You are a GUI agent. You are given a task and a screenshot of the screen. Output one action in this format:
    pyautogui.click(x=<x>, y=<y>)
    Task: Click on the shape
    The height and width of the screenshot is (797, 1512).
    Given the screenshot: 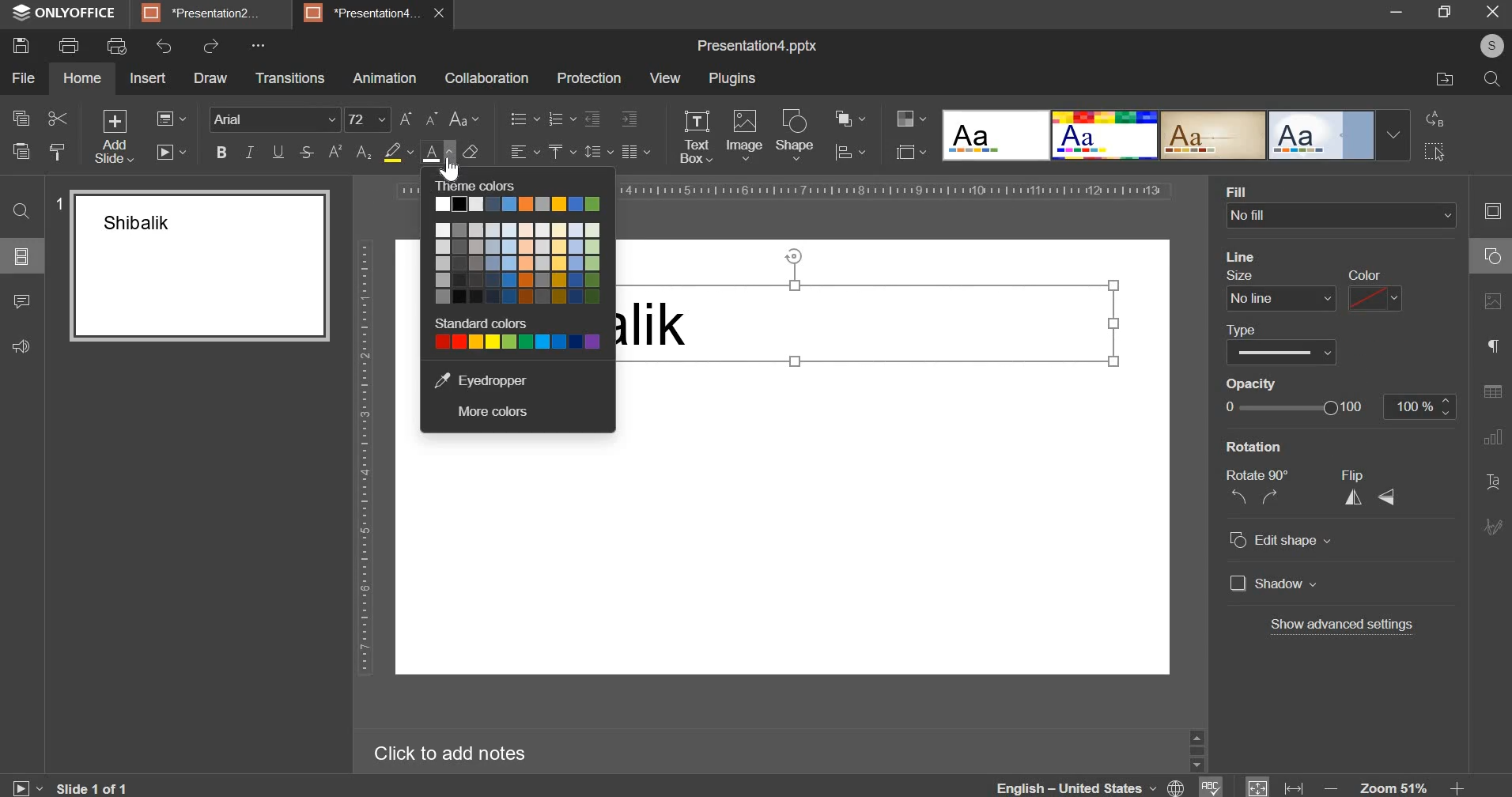 What is the action you would take?
    pyautogui.click(x=799, y=133)
    